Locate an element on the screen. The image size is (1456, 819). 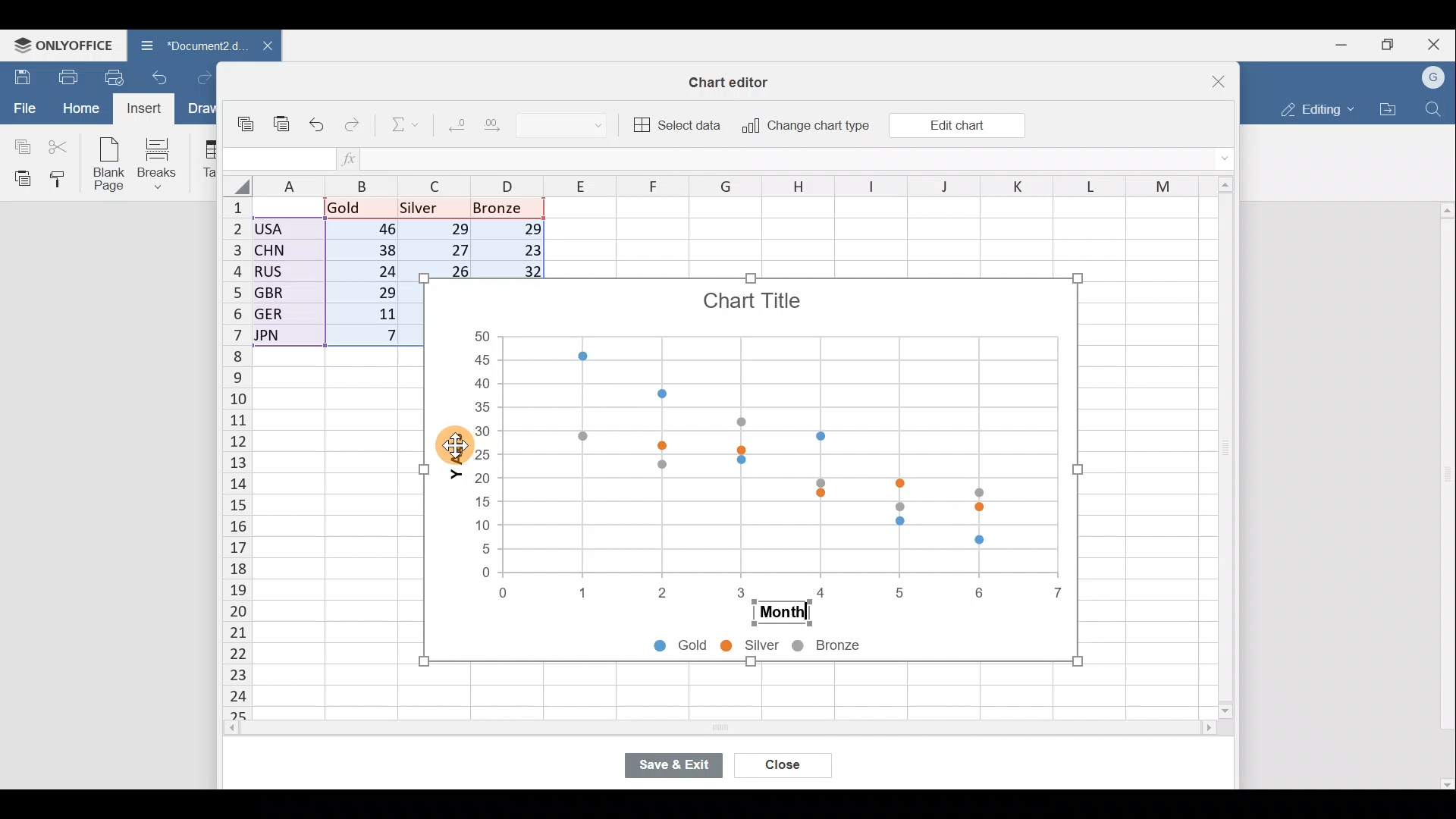
Copy is located at coordinates (19, 145).